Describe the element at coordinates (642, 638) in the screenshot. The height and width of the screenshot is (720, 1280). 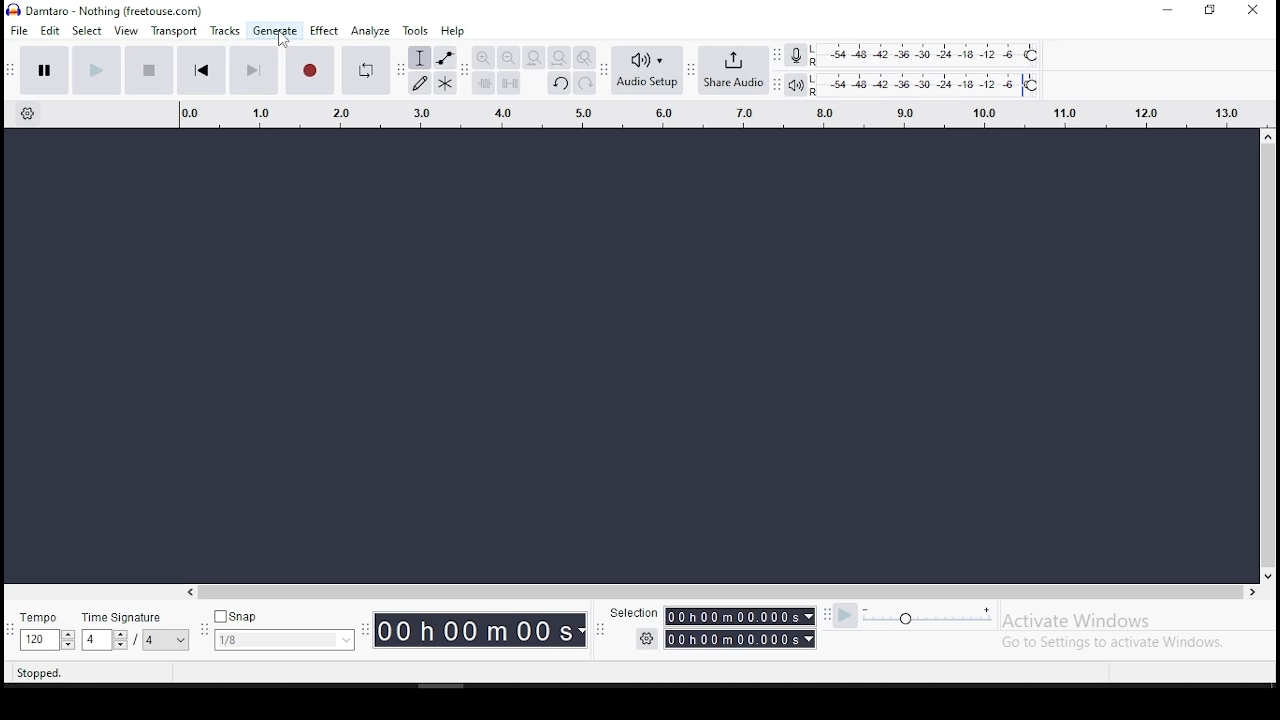
I see `settings` at that location.